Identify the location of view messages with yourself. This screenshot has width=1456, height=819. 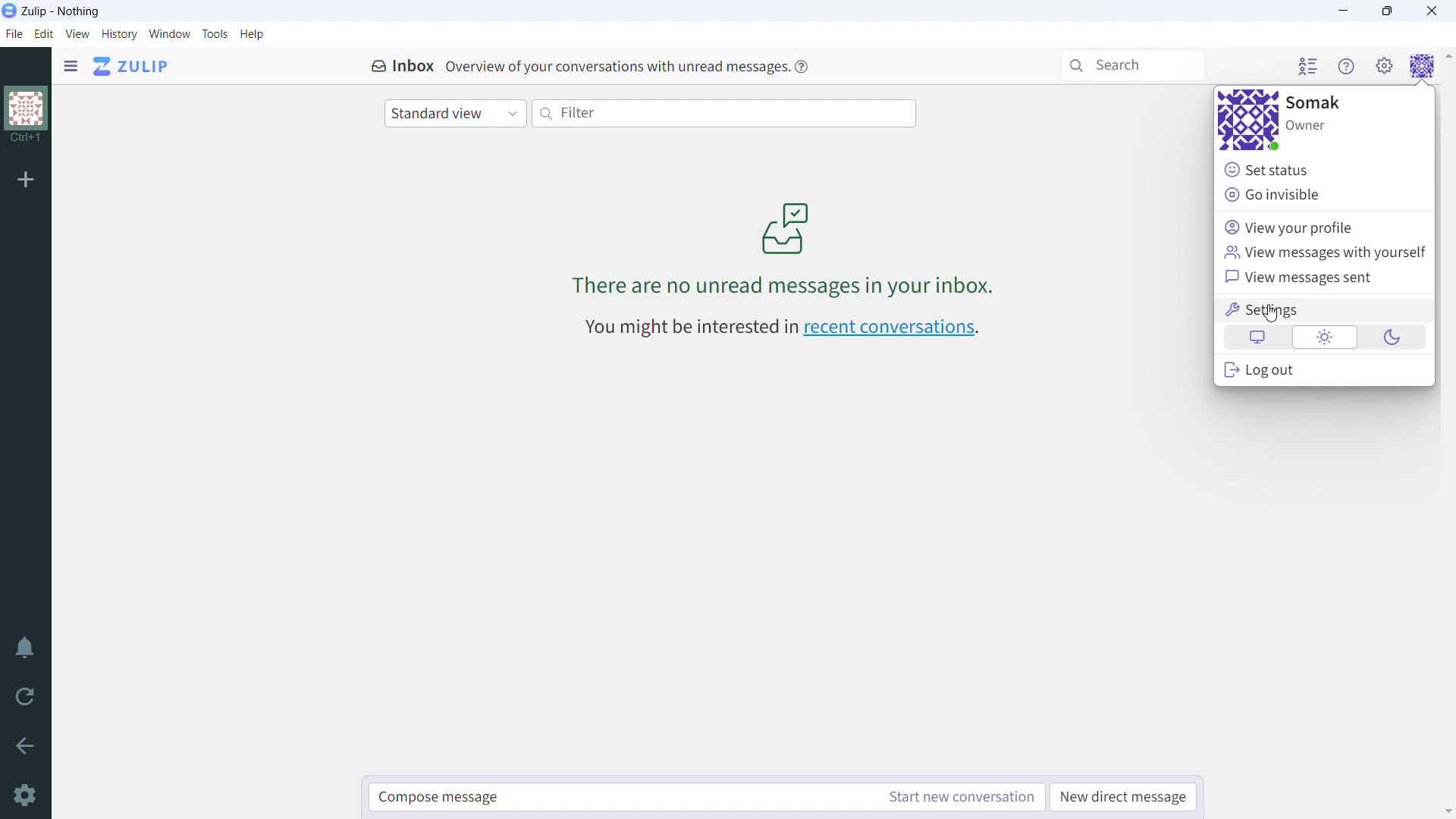
(1323, 253).